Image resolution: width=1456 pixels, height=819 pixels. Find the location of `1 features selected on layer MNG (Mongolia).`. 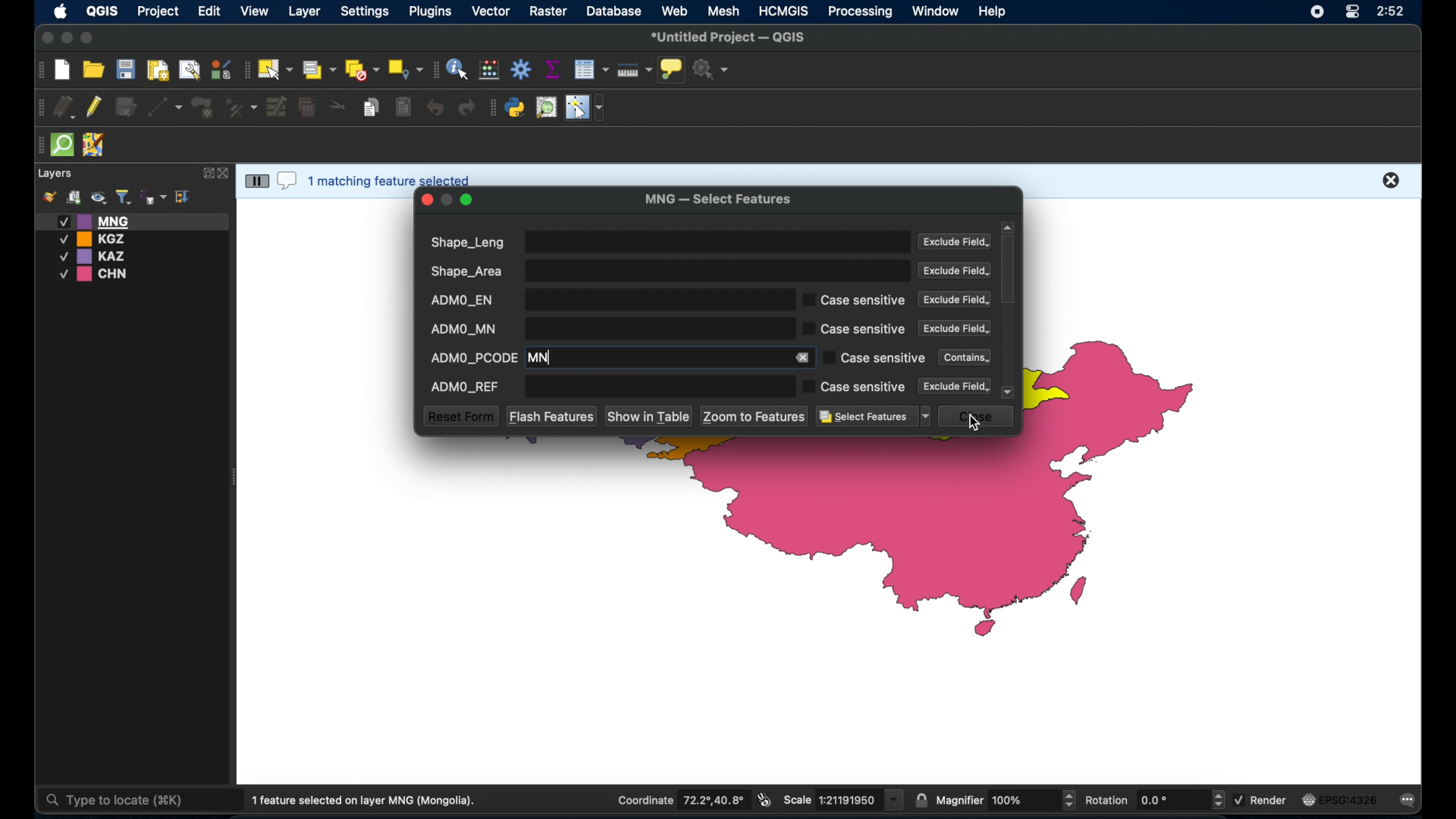

1 features selected on layer MNG (Mongolia). is located at coordinates (370, 801).